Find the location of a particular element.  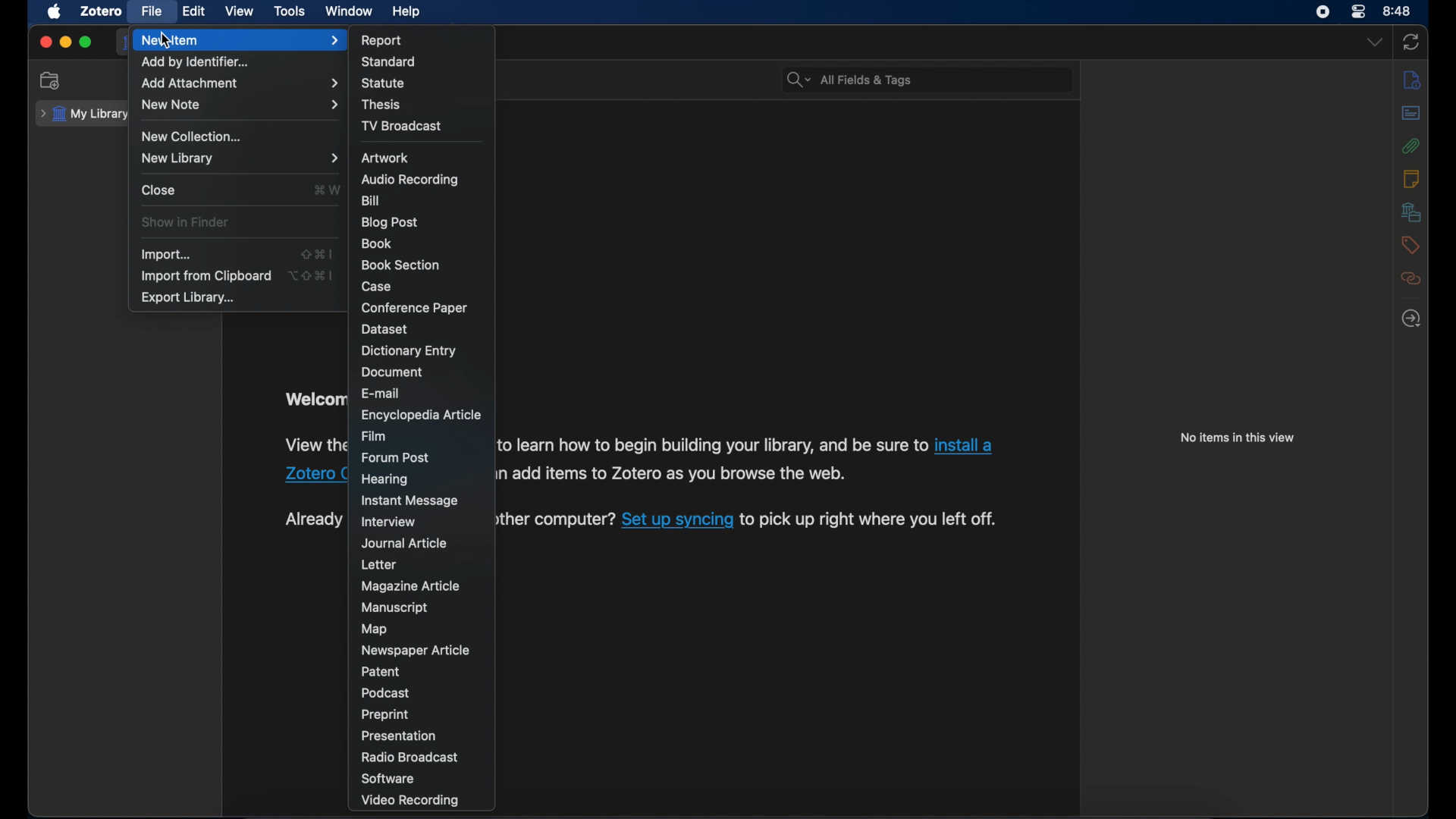

new item is located at coordinates (240, 40).